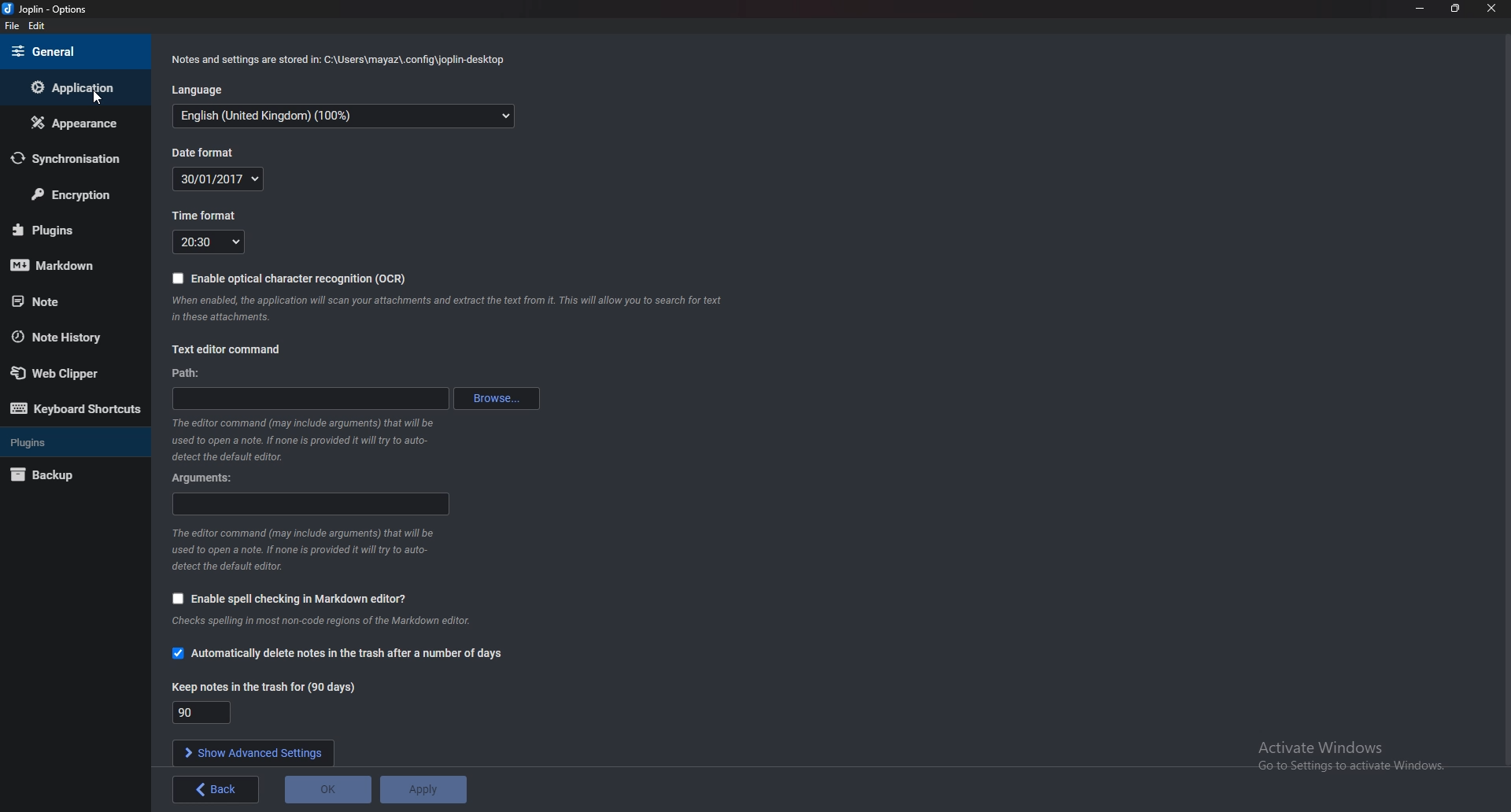 Image resolution: width=1511 pixels, height=812 pixels. Describe the element at coordinates (69, 159) in the screenshot. I see `Synchronization` at that location.